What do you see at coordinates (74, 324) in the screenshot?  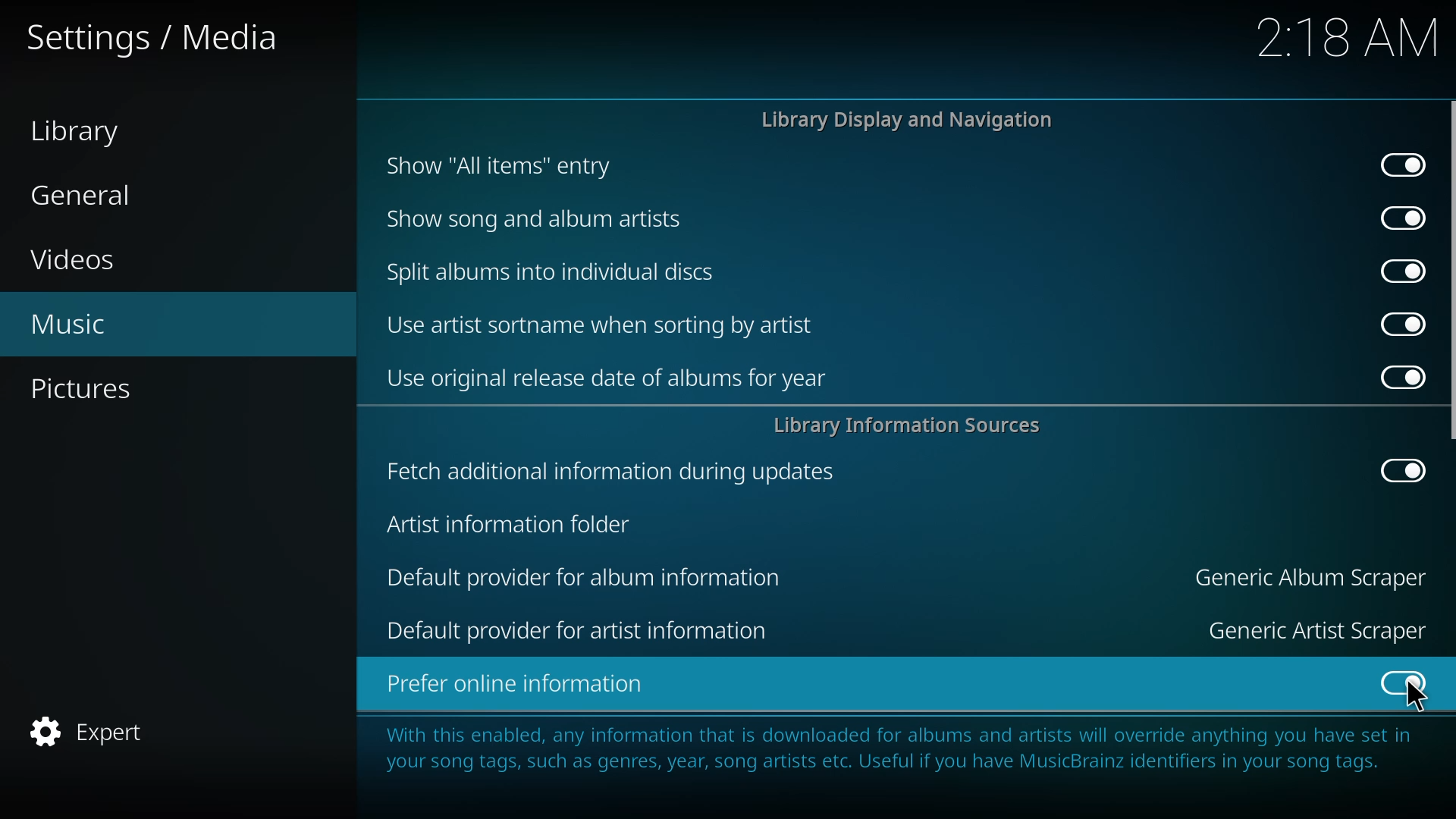 I see `music` at bounding box center [74, 324].